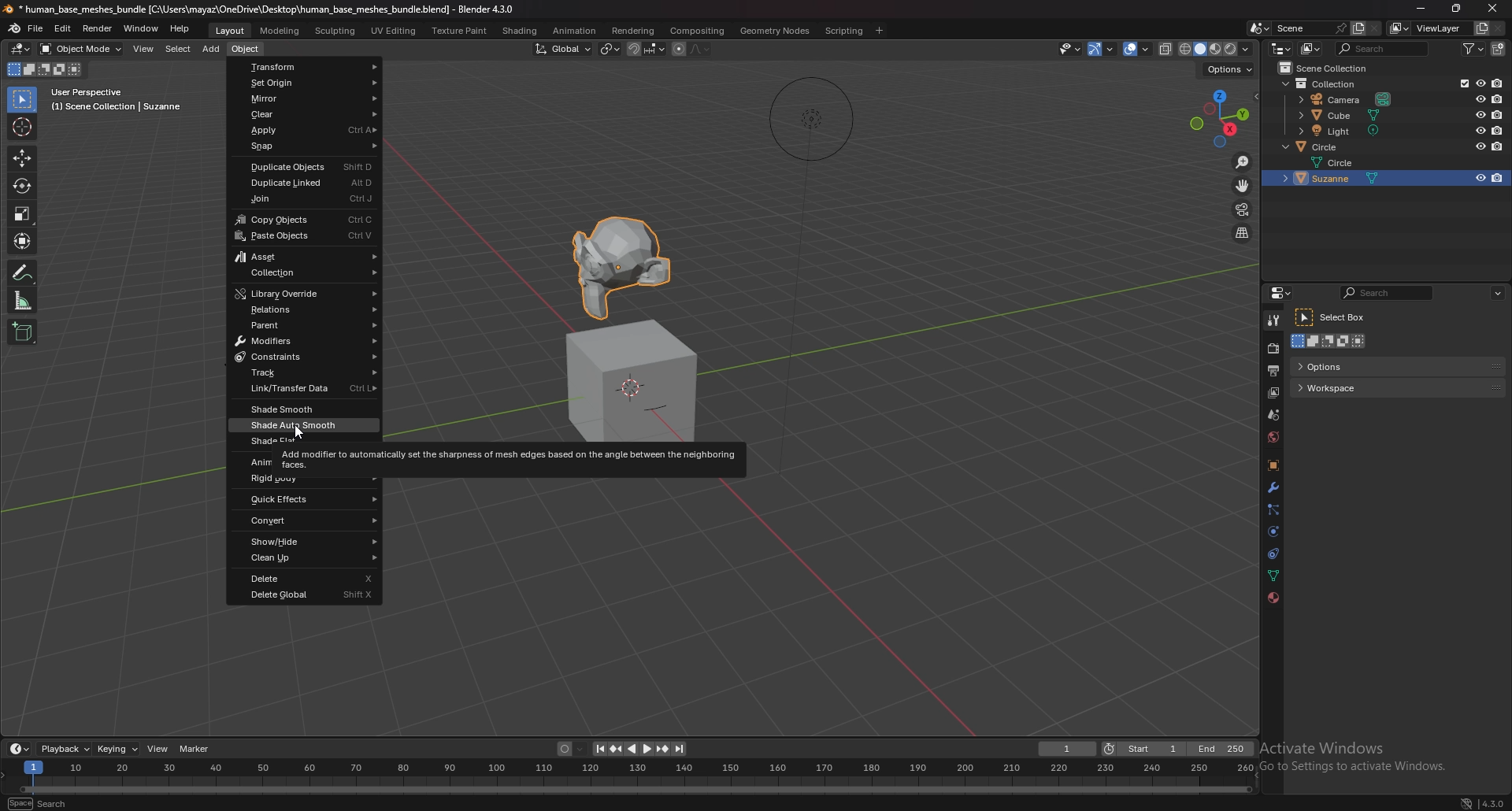  I want to click on suzanne, so click(627, 260).